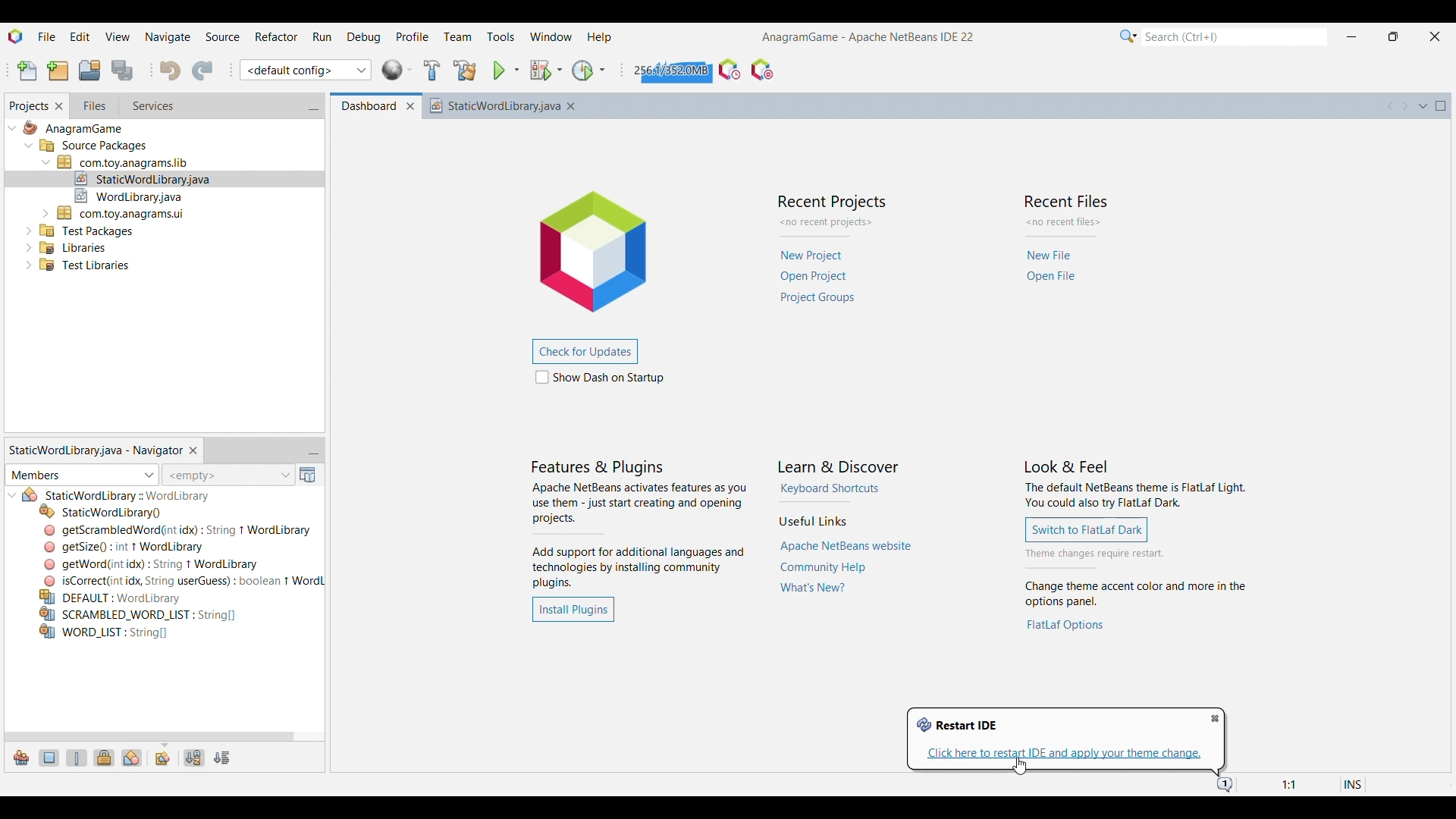  Describe the element at coordinates (117, 597) in the screenshot. I see `` at that location.